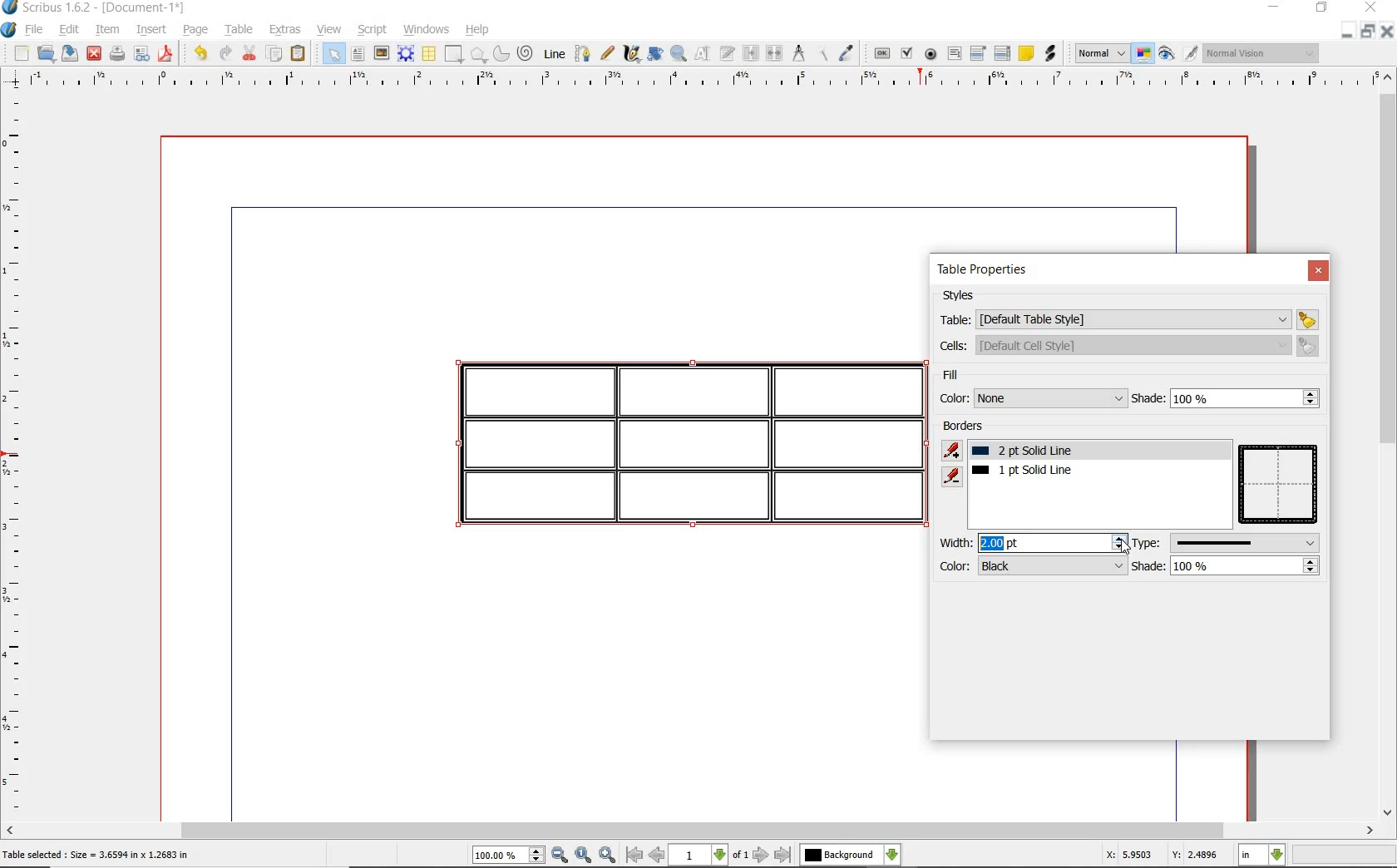 The height and width of the screenshot is (868, 1397). Describe the element at coordinates (1344, 856) in the screenshot. I see `zoom factor` at that location.